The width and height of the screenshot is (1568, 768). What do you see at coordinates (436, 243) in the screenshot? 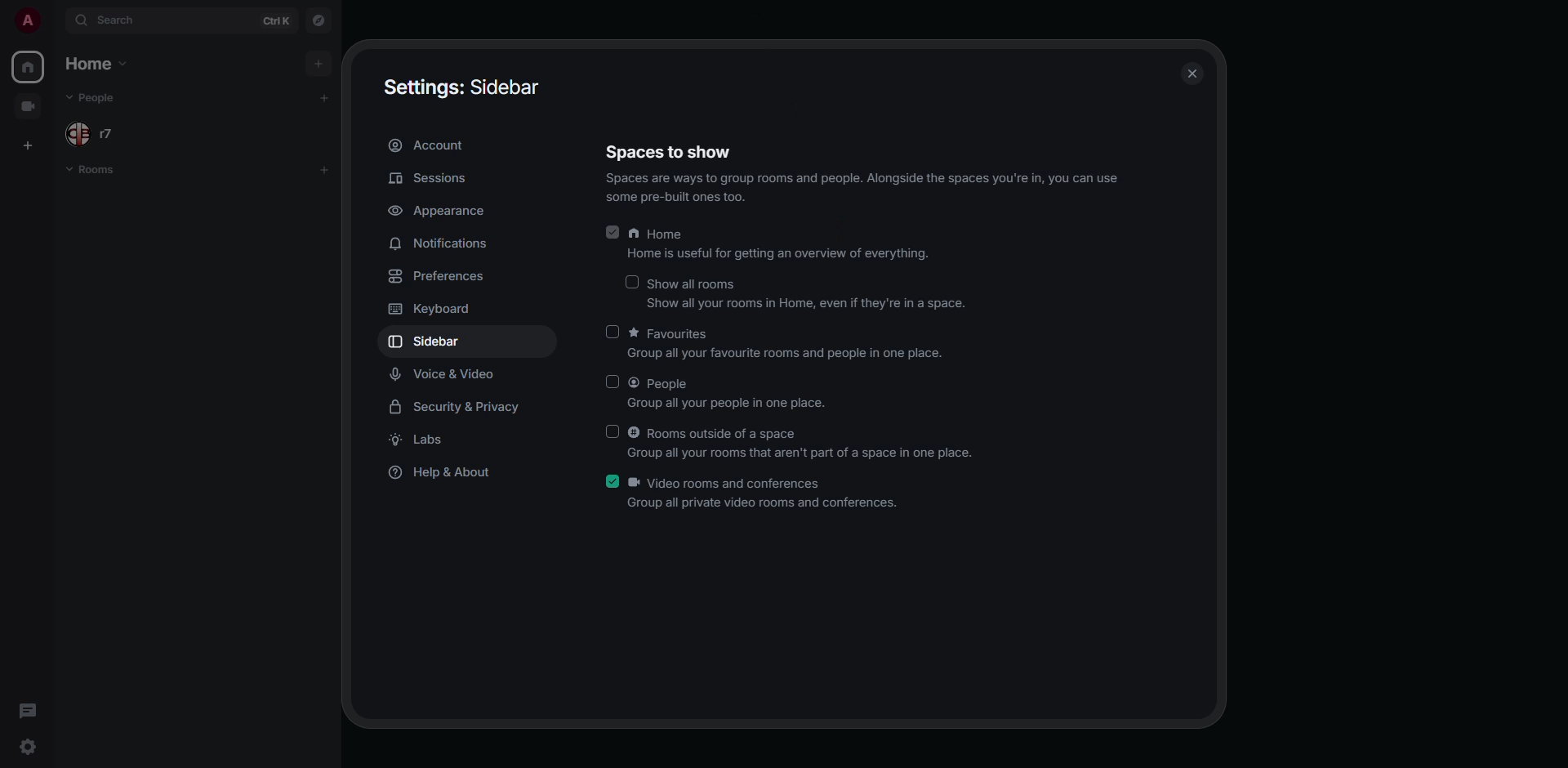
I see `notifications` at bounding box center [436, 243].